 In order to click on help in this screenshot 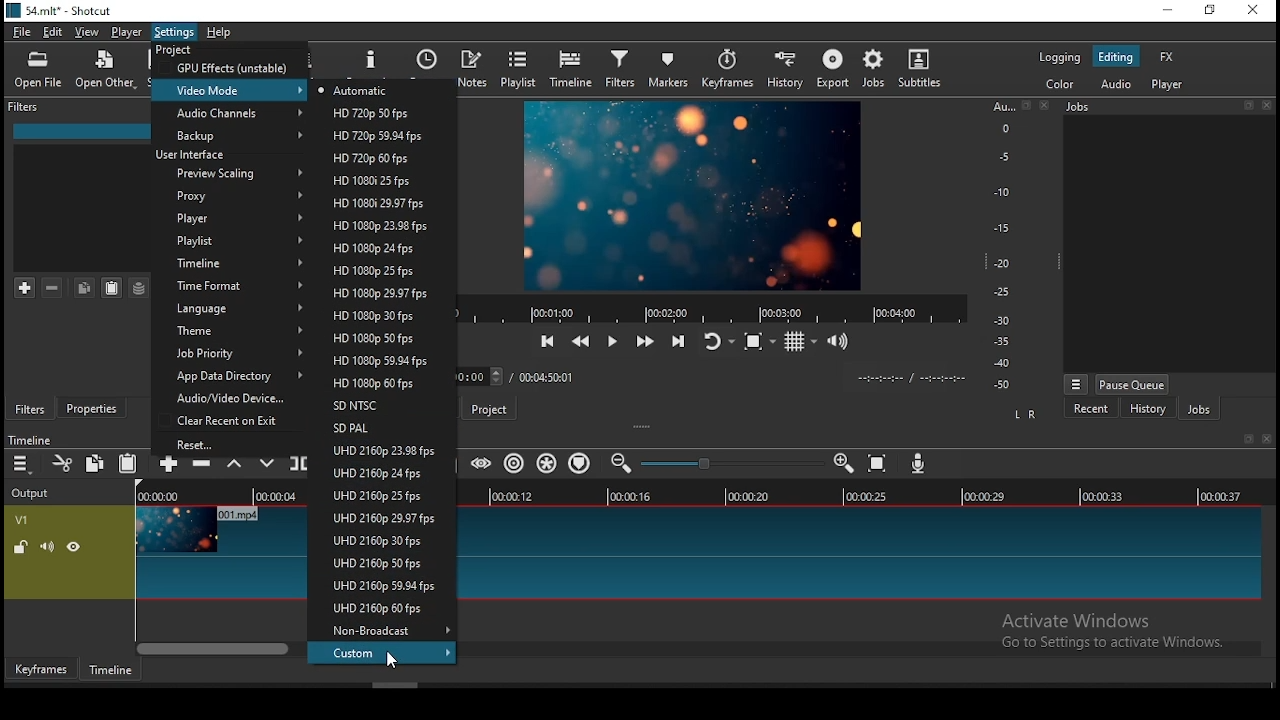, I will do `click(226, 32)`.